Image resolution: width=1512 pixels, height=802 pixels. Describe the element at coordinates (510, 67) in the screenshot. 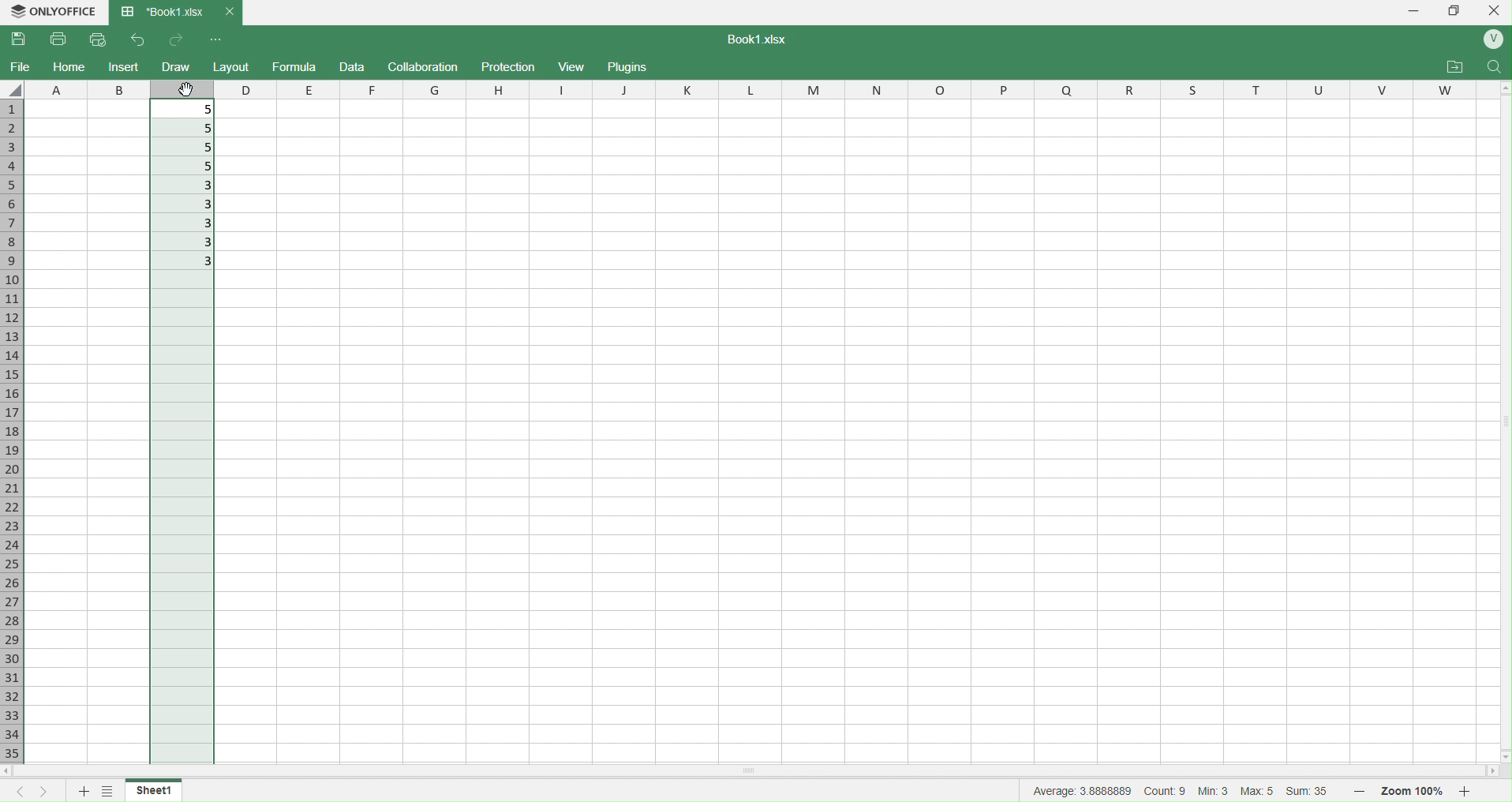

I see `Protection` at that location.